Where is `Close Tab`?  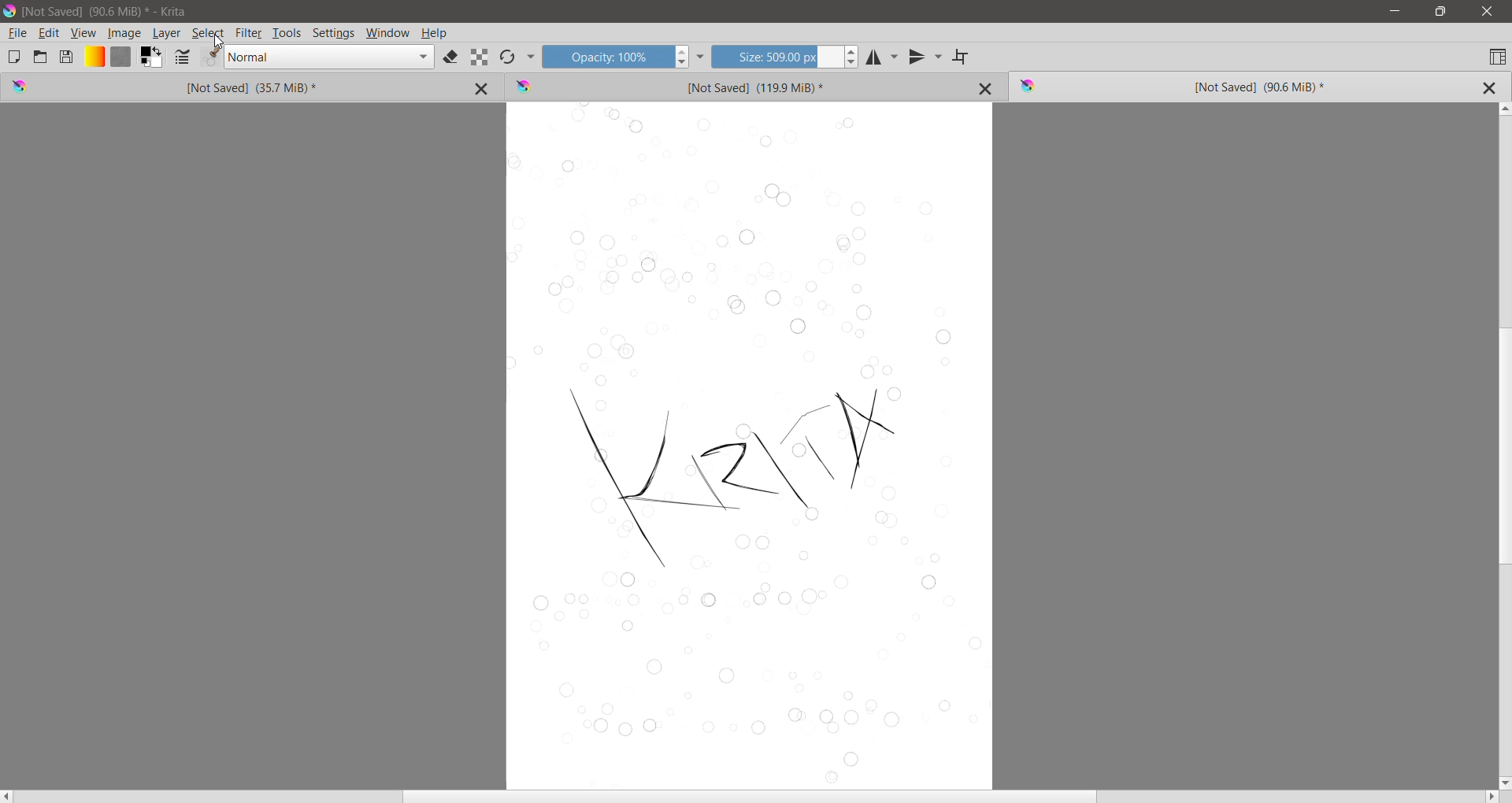 Close Tab is located at coordinates (986, 88).